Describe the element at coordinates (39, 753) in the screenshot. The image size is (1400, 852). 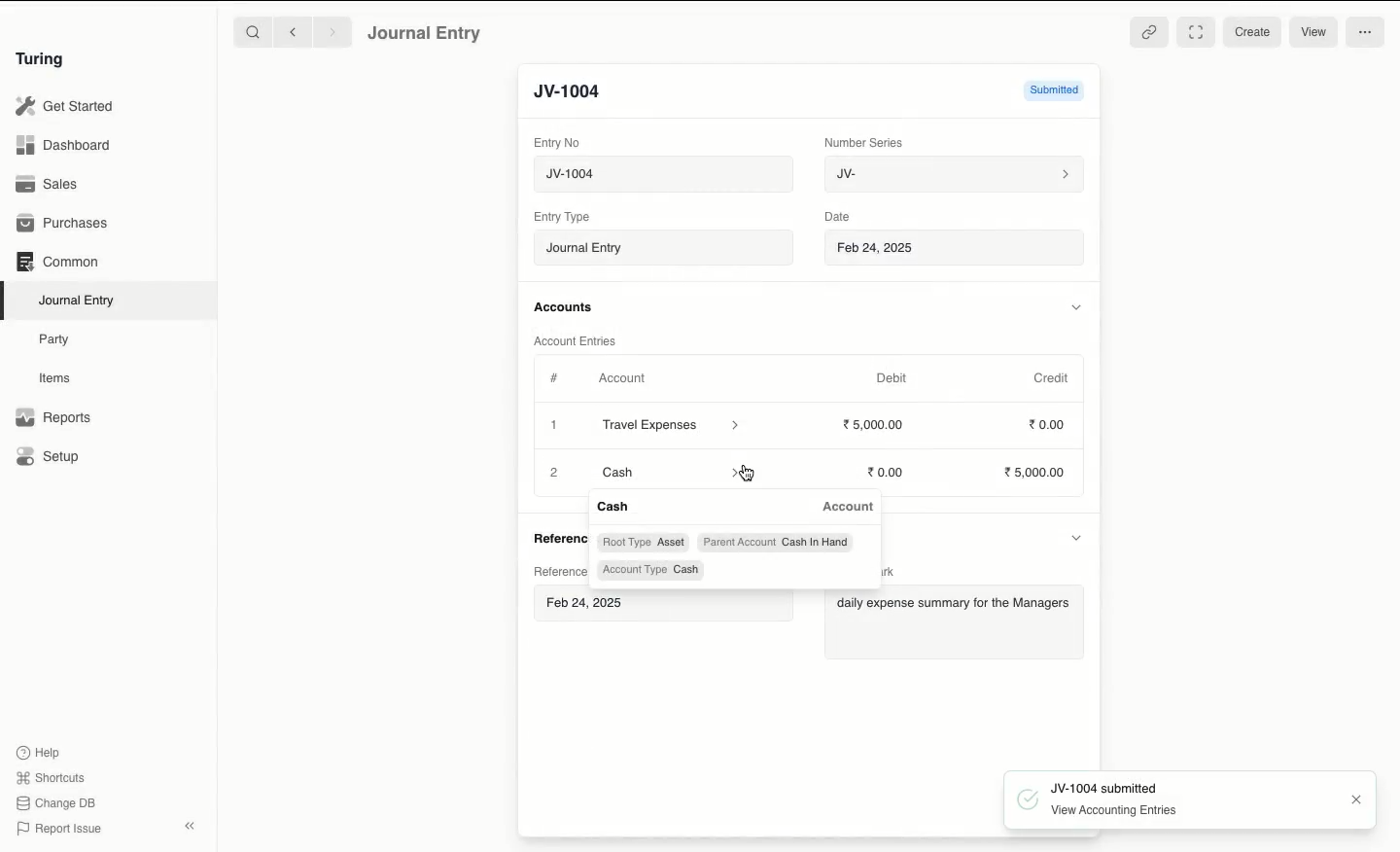
I see `Help` at that location.